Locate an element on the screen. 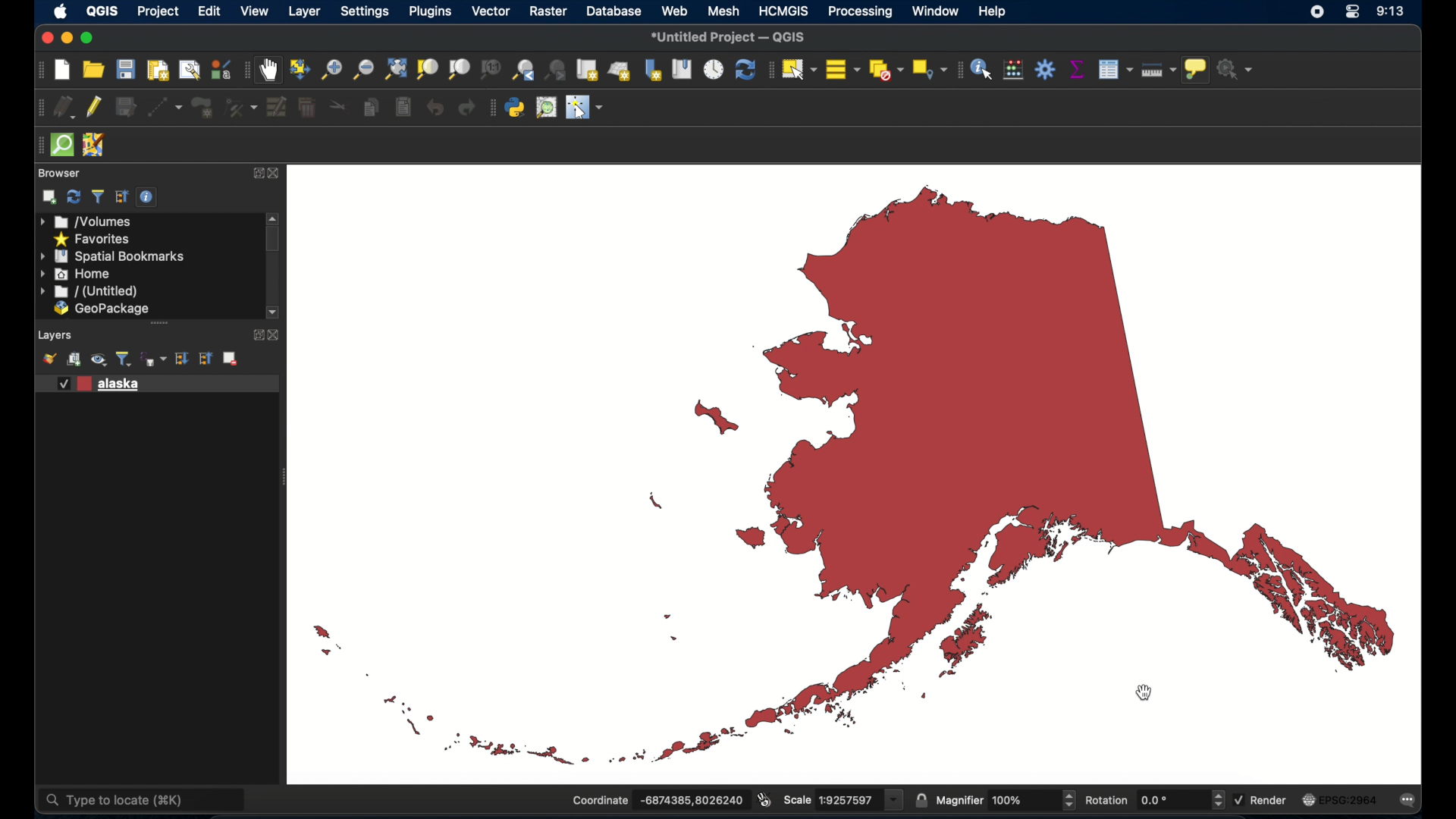 Image resolution: width=1456 pixels, height=819 pixels. open field calculator is located at coordinates (1013, 70).